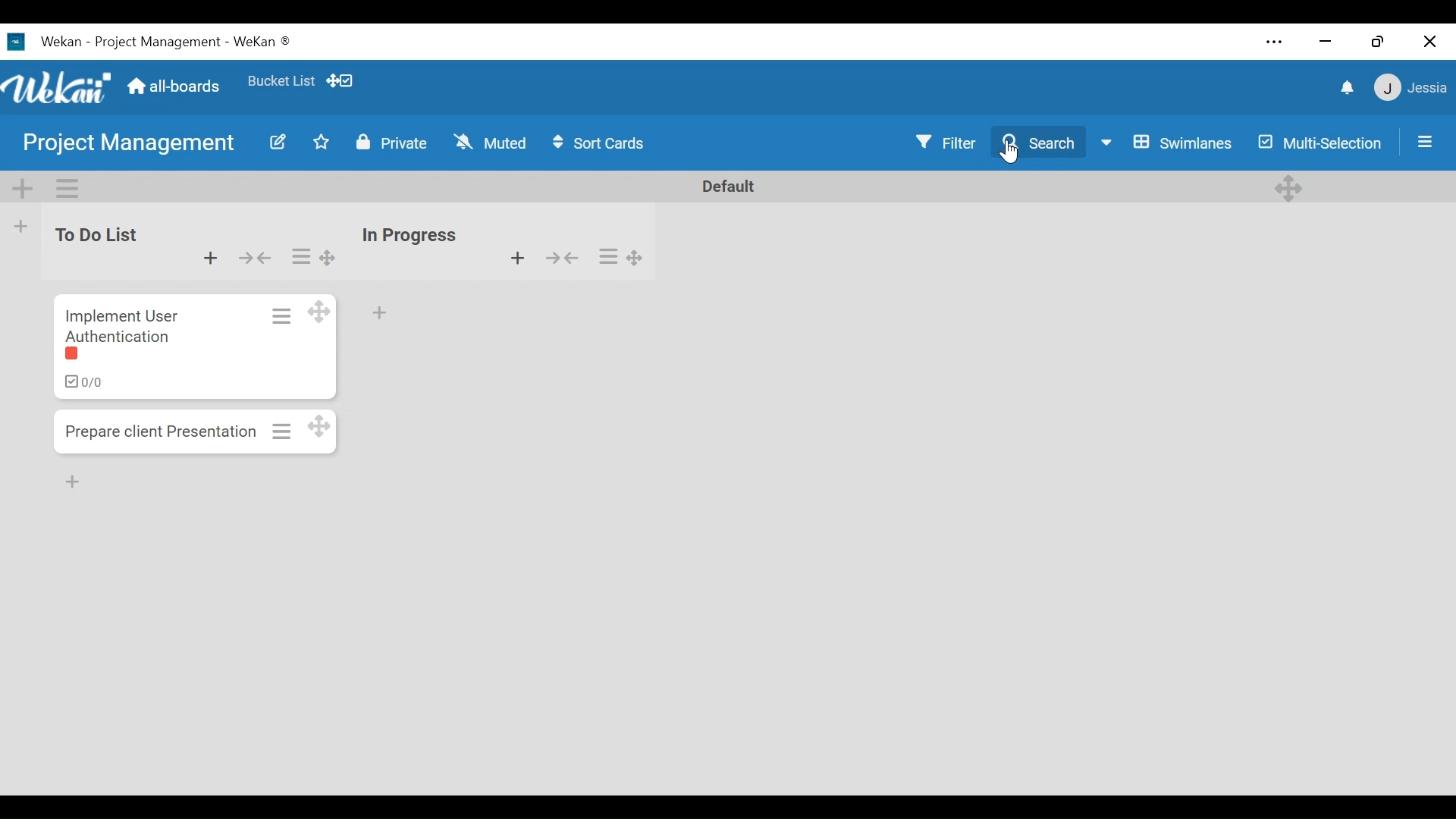  What do you see at coordinates (391, 144) in the screenshot?
I see `Private` at bounding box center [391, 144].